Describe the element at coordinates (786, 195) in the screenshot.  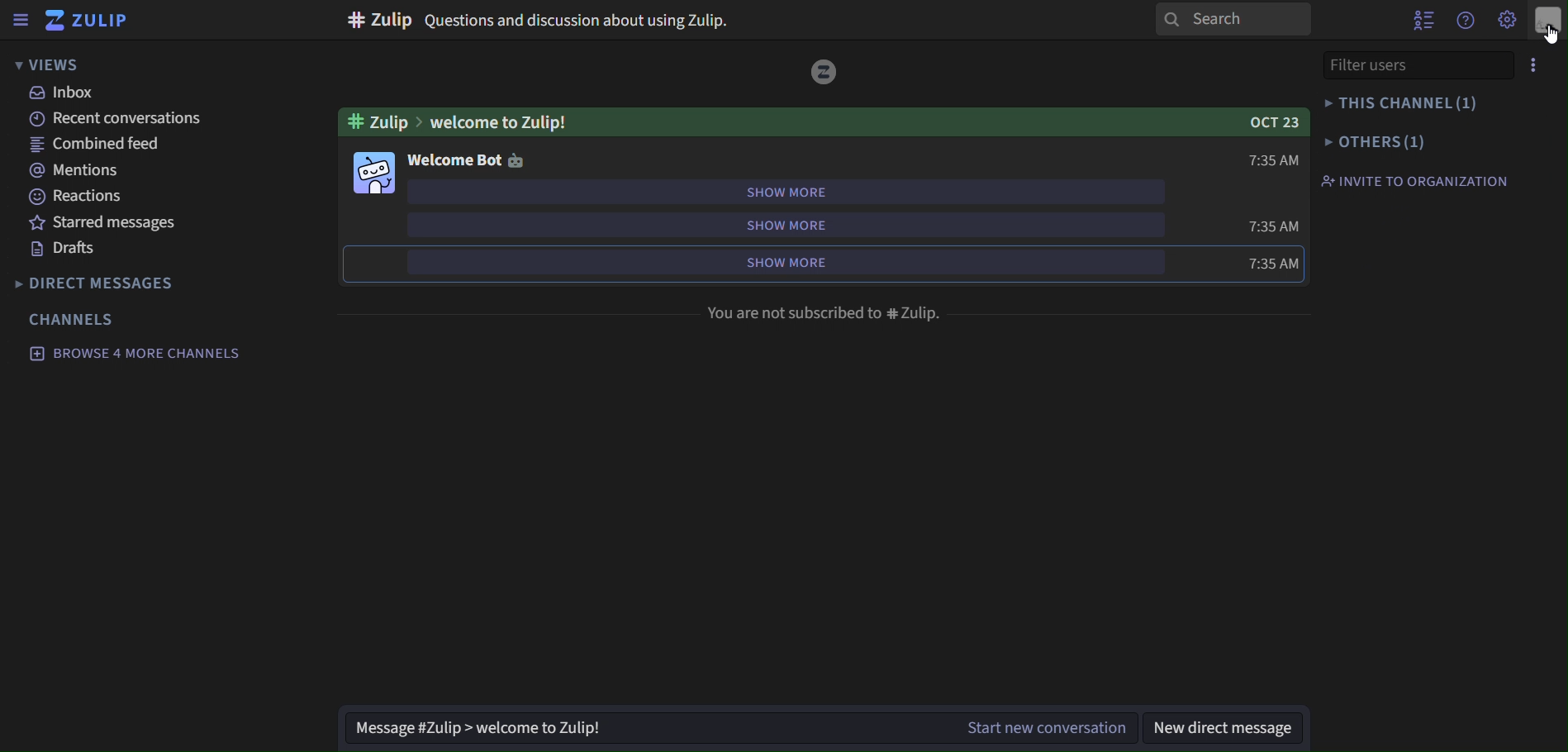
I see ` show more` at that location.